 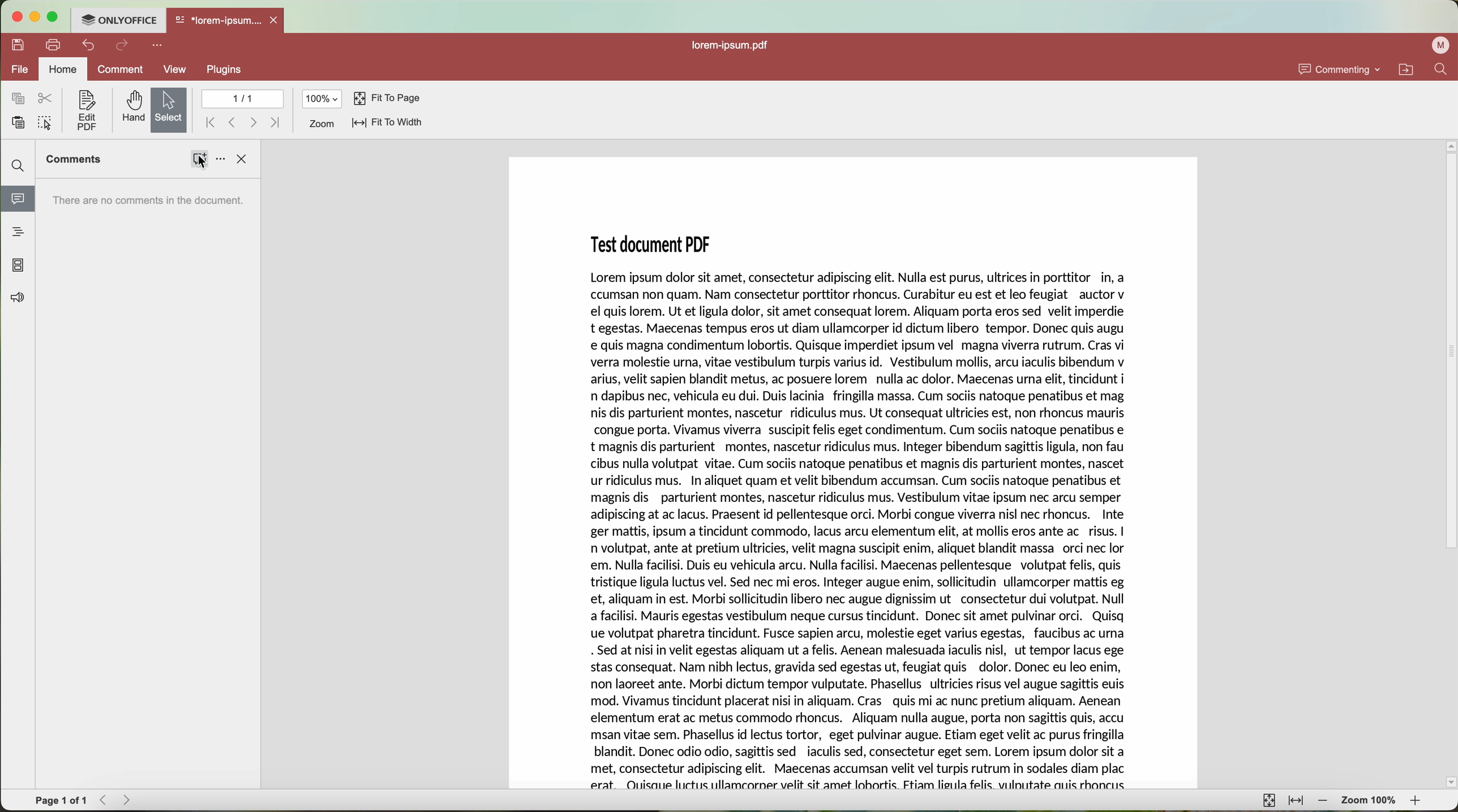 I want to click on 1/1, so click(x=242, y=98).